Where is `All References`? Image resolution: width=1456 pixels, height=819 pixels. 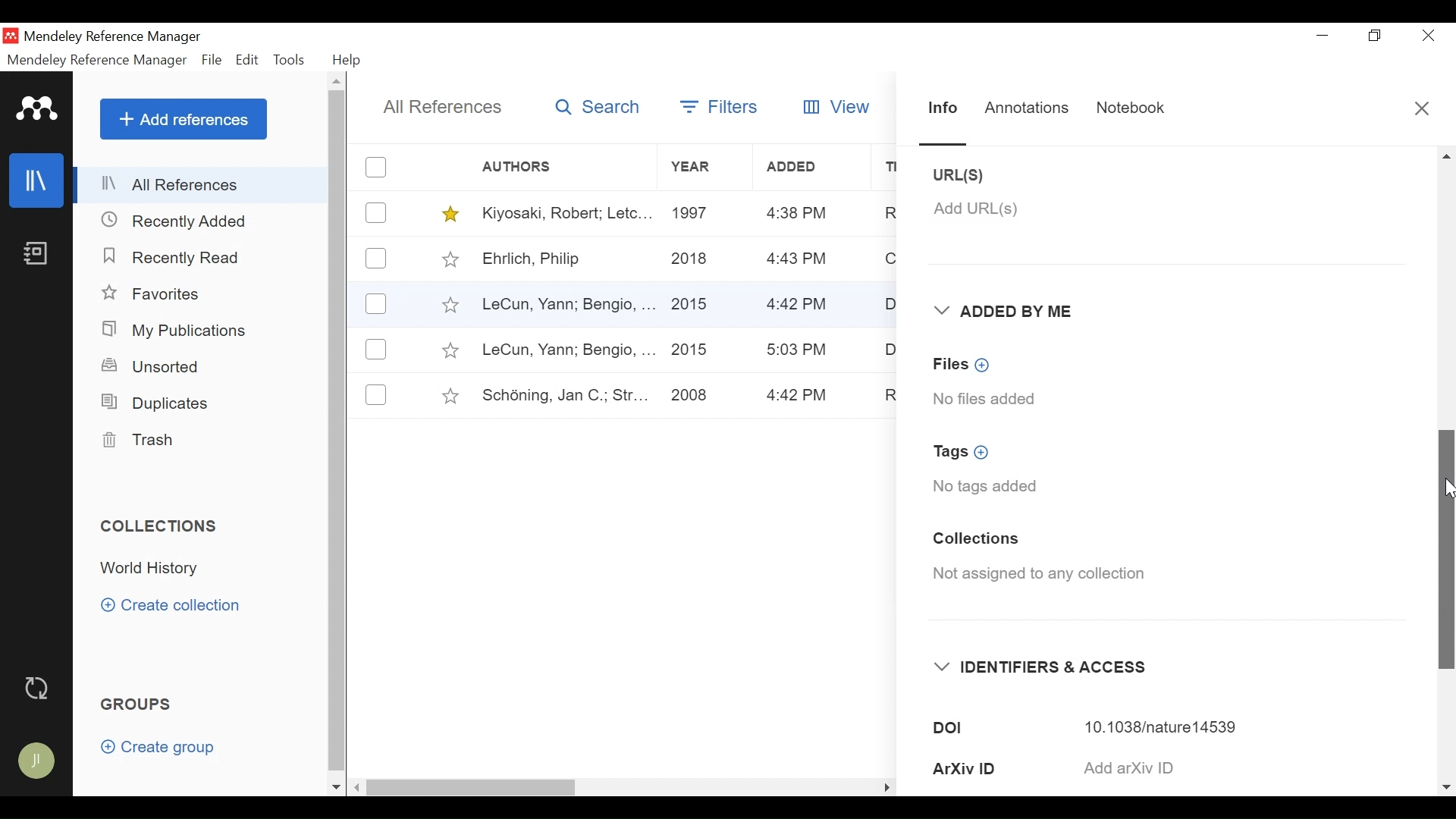 All References is located at coordinates (202, 184).